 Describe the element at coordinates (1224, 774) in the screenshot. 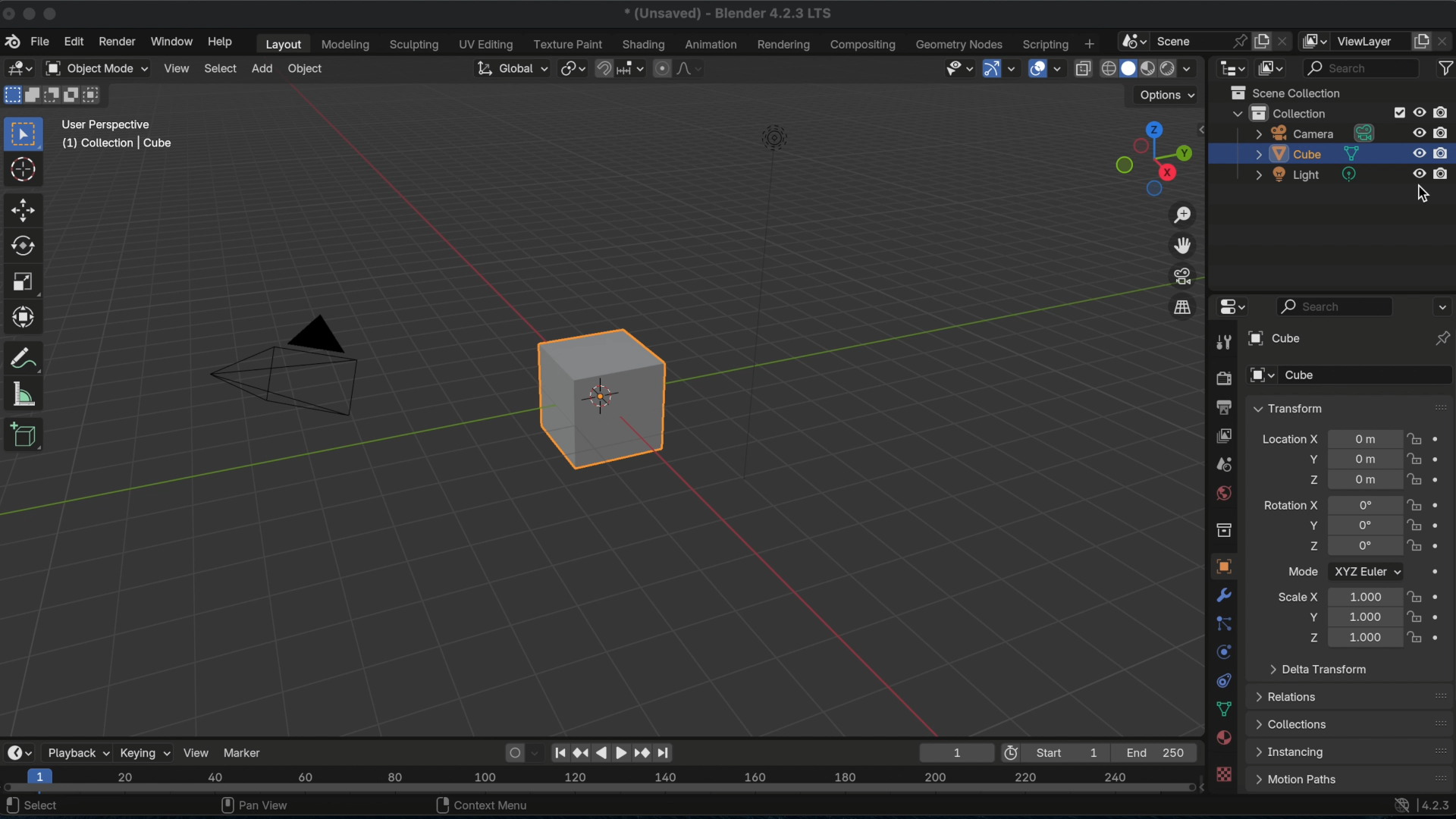

I see `texture` at that location.